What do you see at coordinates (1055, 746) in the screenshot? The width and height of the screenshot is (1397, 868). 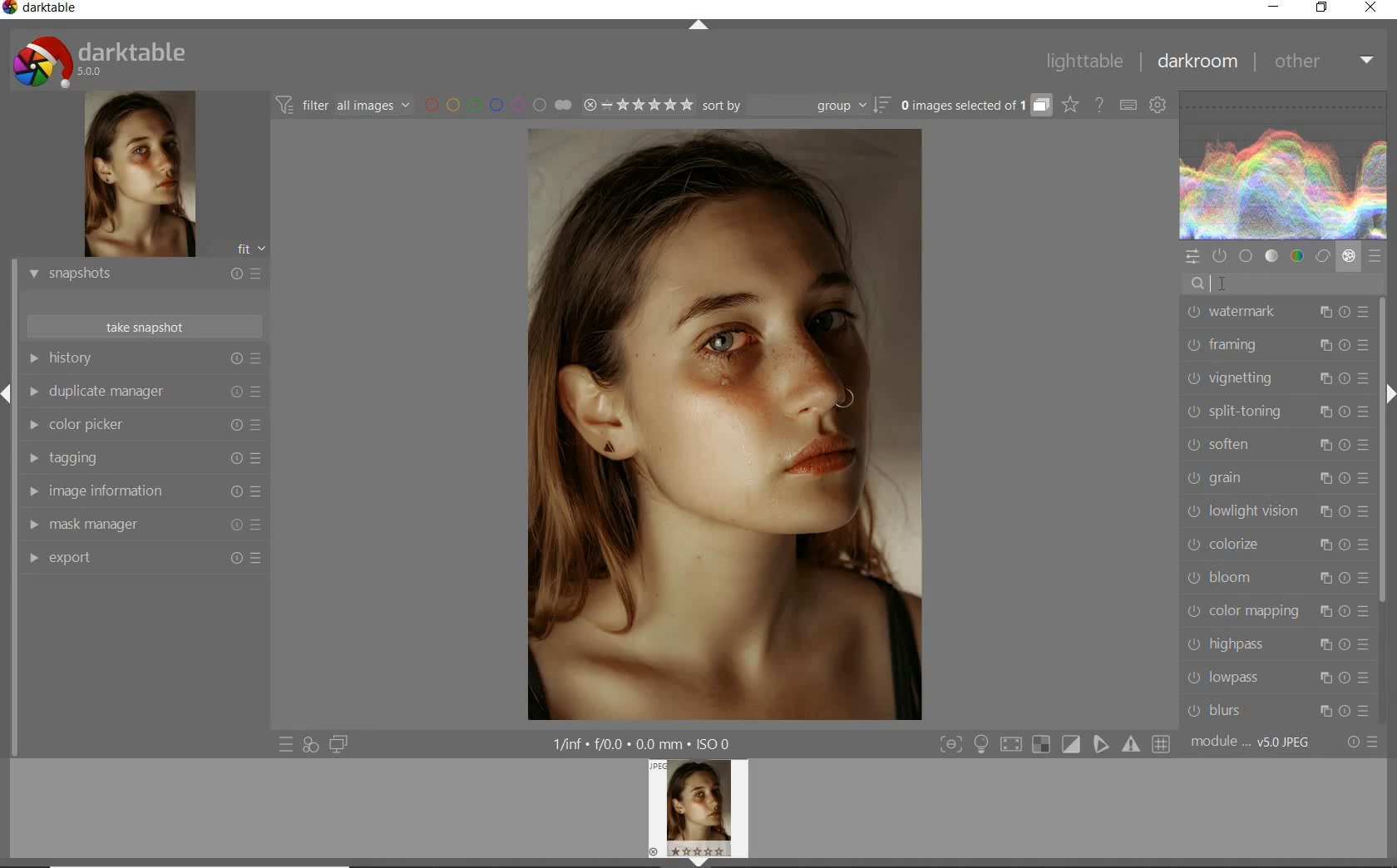 I see `toggle modes` at bounding box center [1055, 746].